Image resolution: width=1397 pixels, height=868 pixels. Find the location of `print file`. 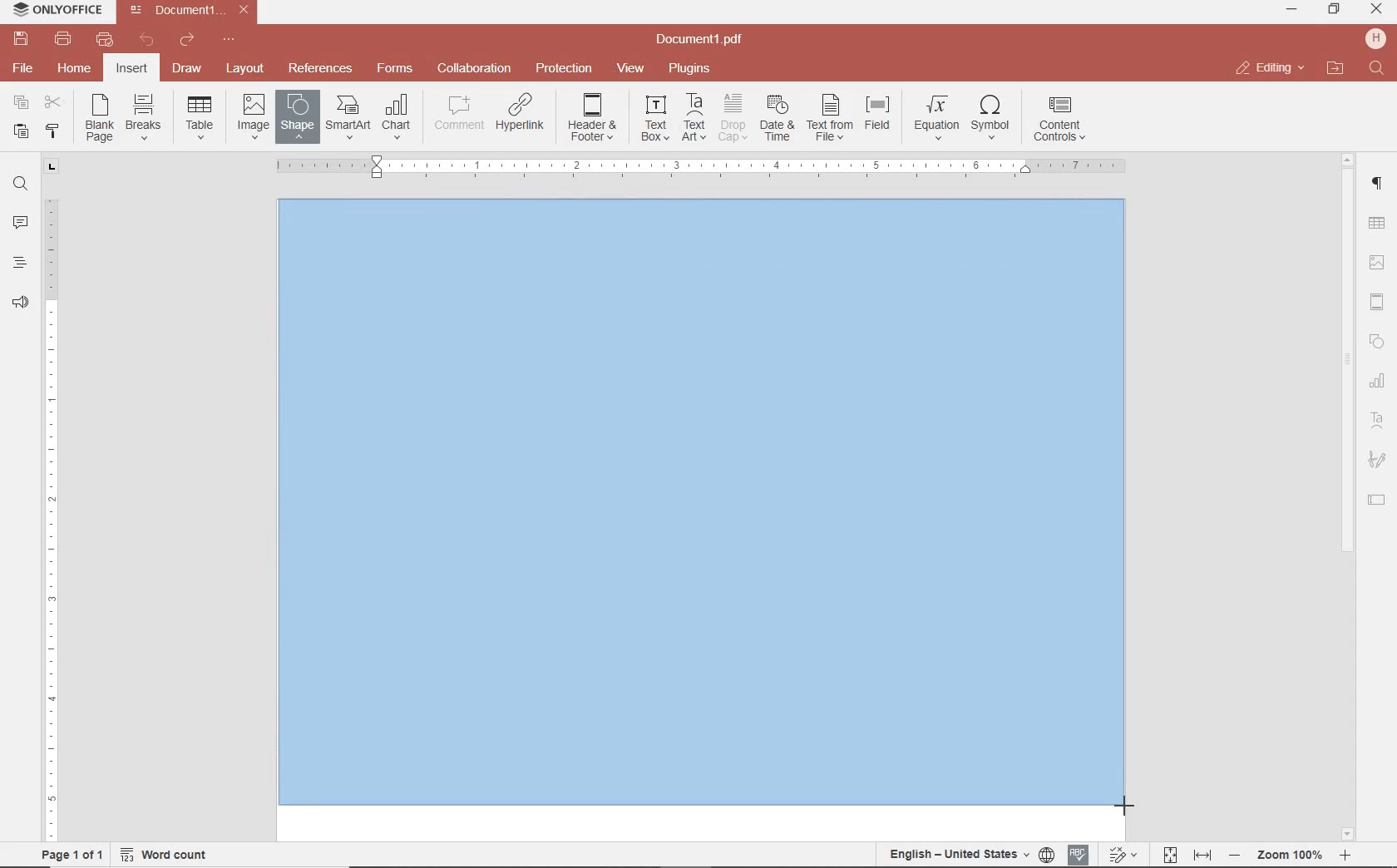

print file is located at coordinates (63, 39).